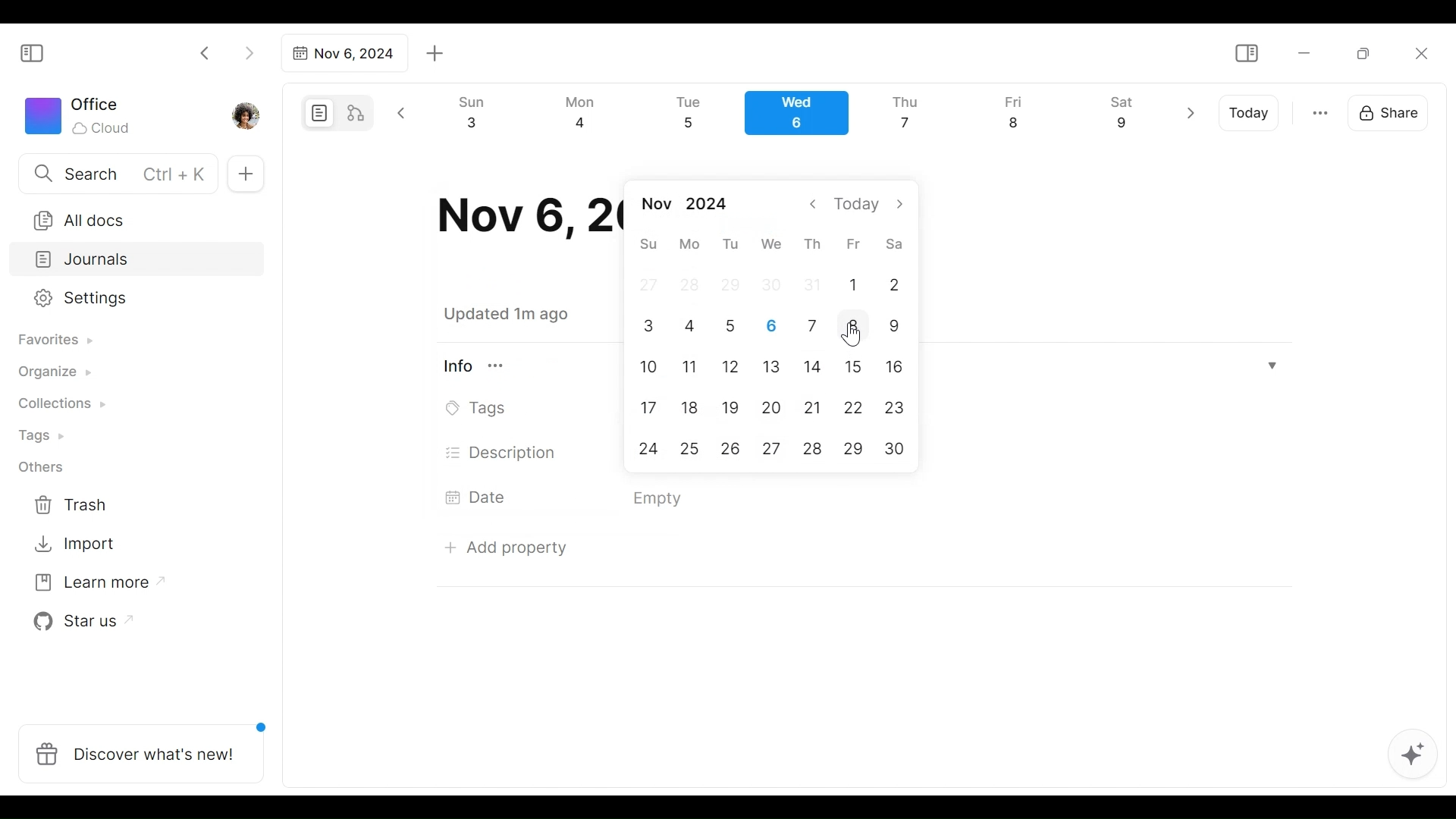 The height and width of the screenshot is (819, 1456). Describe the element at coordinates (247, 112) in the screenshot. I see `Profile photo` at that location.